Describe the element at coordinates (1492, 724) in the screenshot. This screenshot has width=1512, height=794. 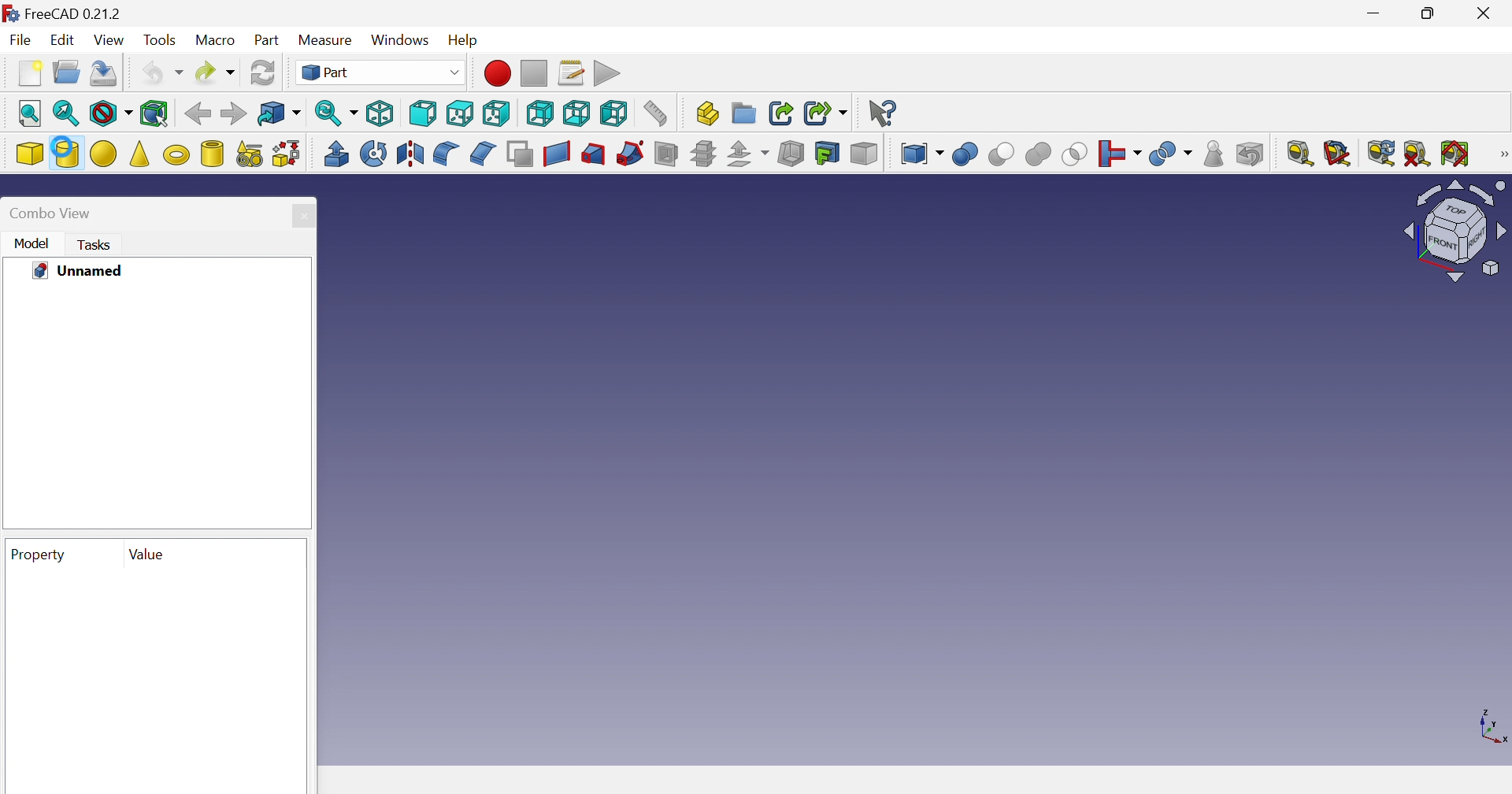
I see `x, y, z axis` at that location.